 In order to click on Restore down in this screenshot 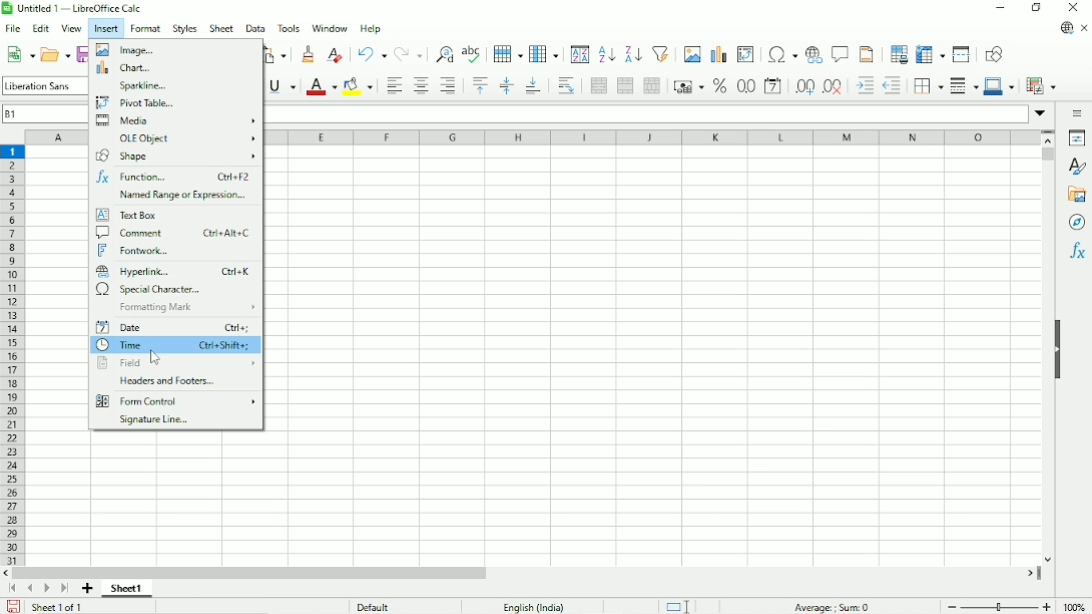, I will do `click(1038, 9)`.